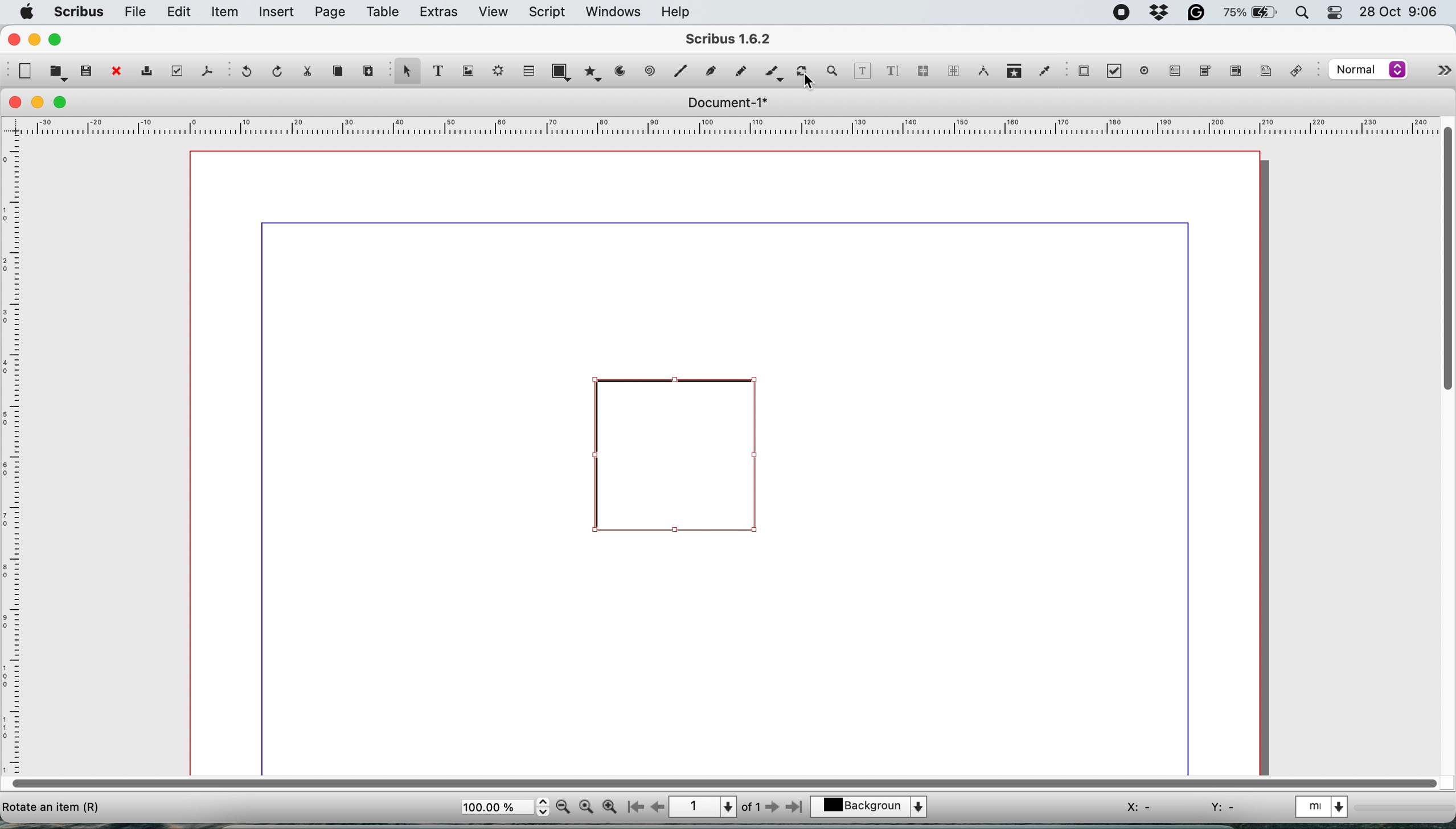 This screenshot has height=829, width=1456. I want to click on next page, so click(775, 809).